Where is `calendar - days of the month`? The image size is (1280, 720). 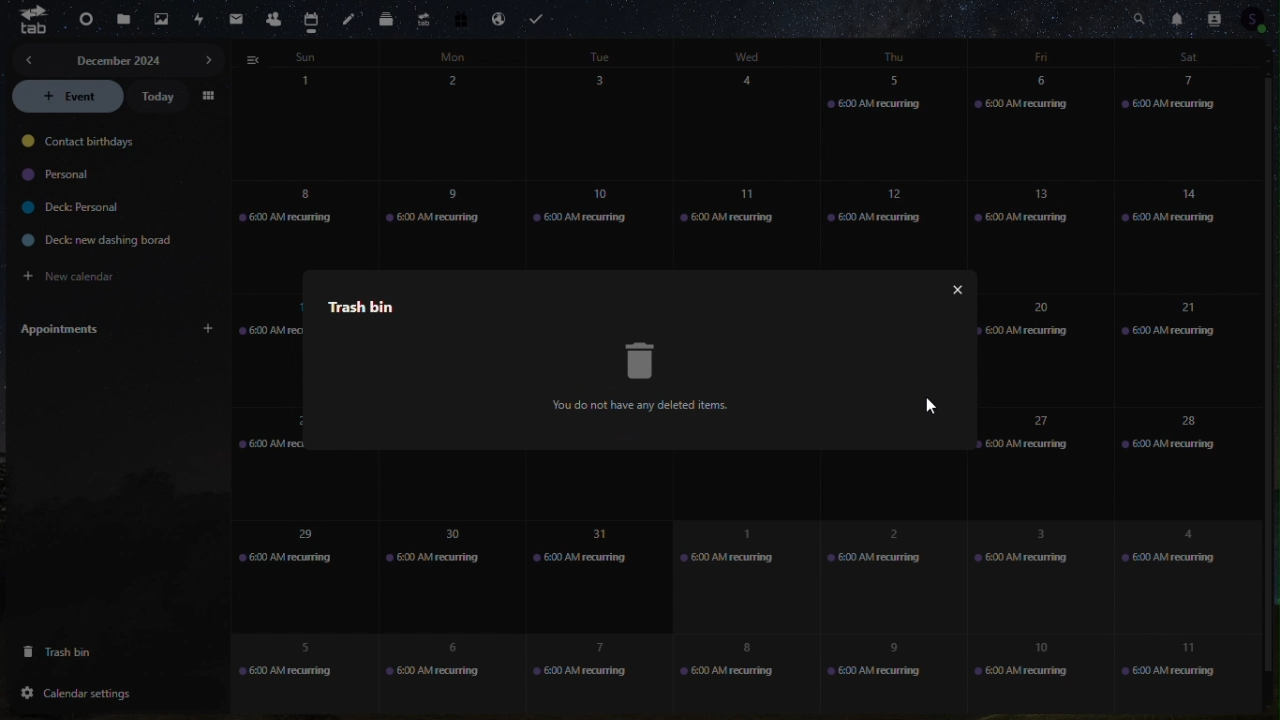 calendar - days of the month is located at coordinates (302, 120).